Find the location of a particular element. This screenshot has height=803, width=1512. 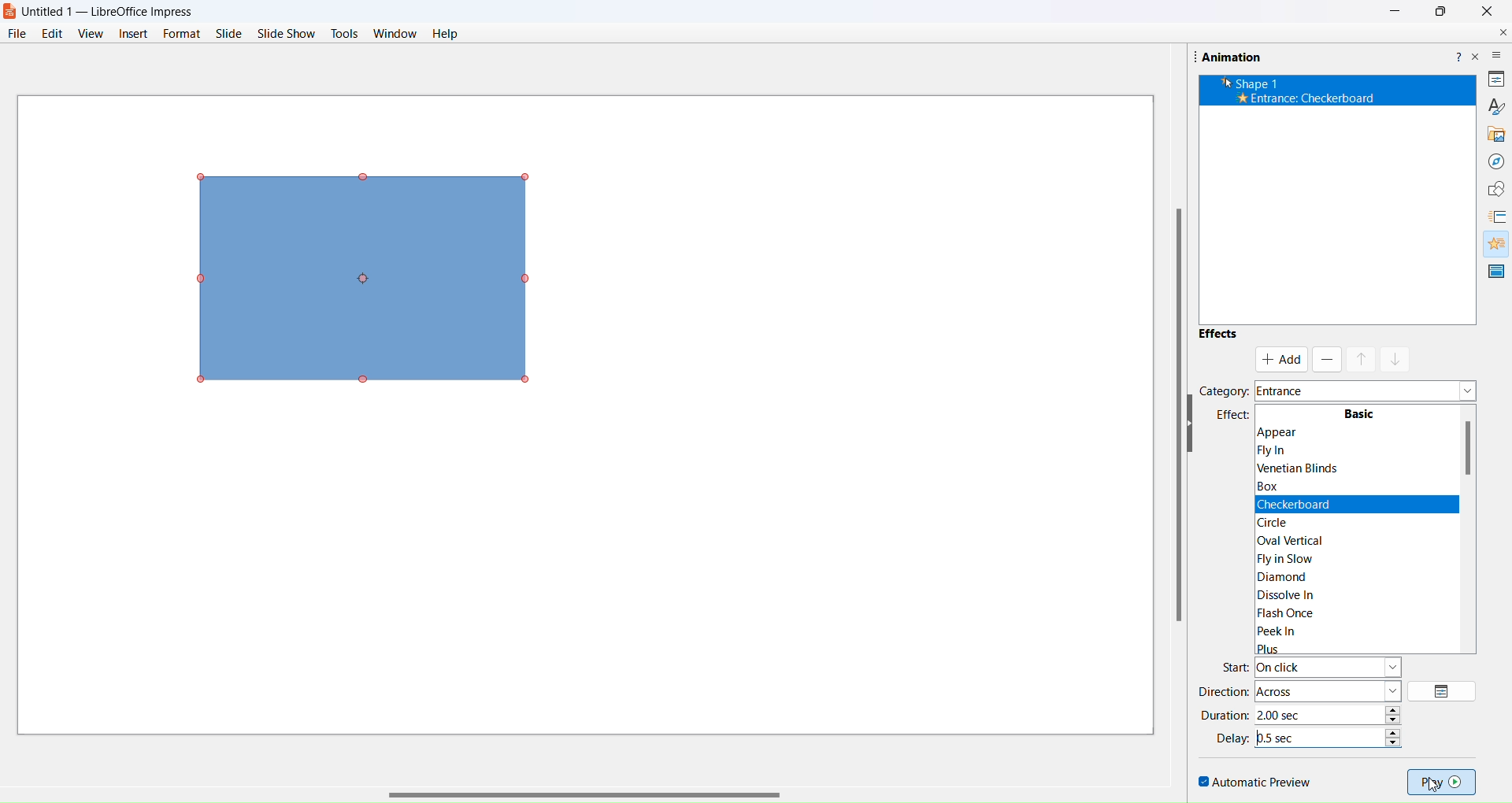

master slide is located at coordinates (1495, 272).